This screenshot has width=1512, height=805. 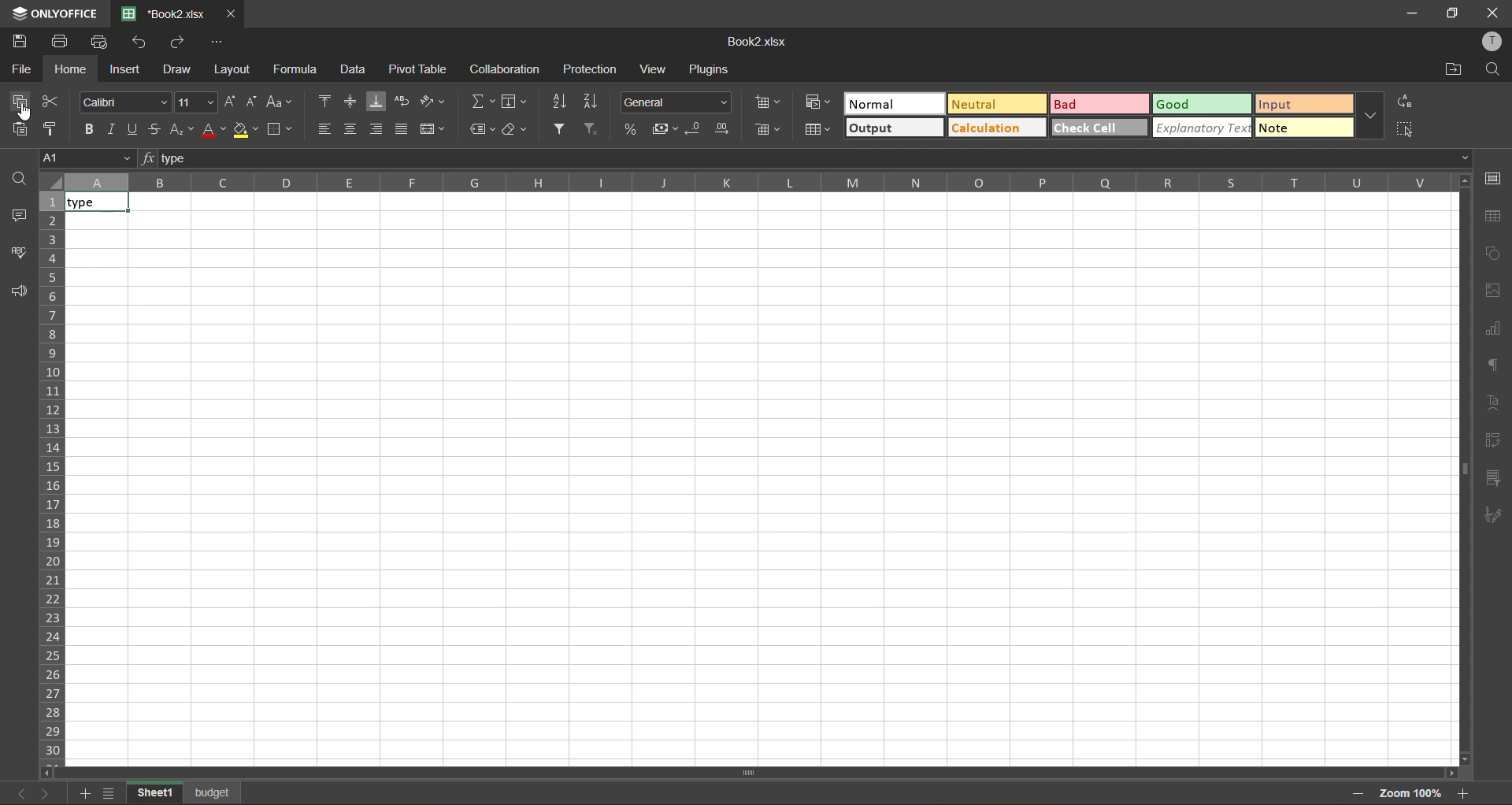 I want to click on bad, so click(x=1099, y=103).